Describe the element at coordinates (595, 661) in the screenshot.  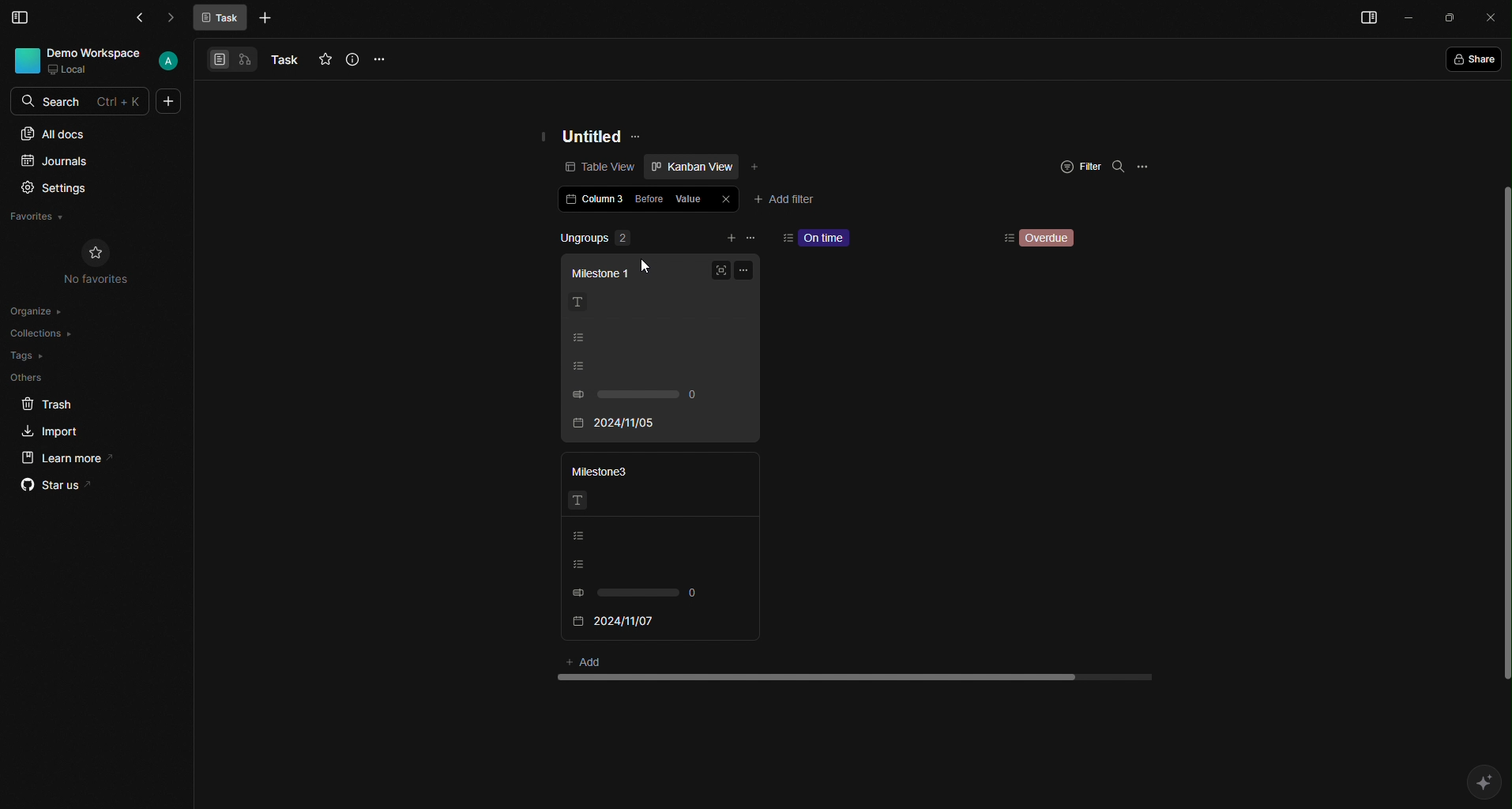
I see `Add` at that location.